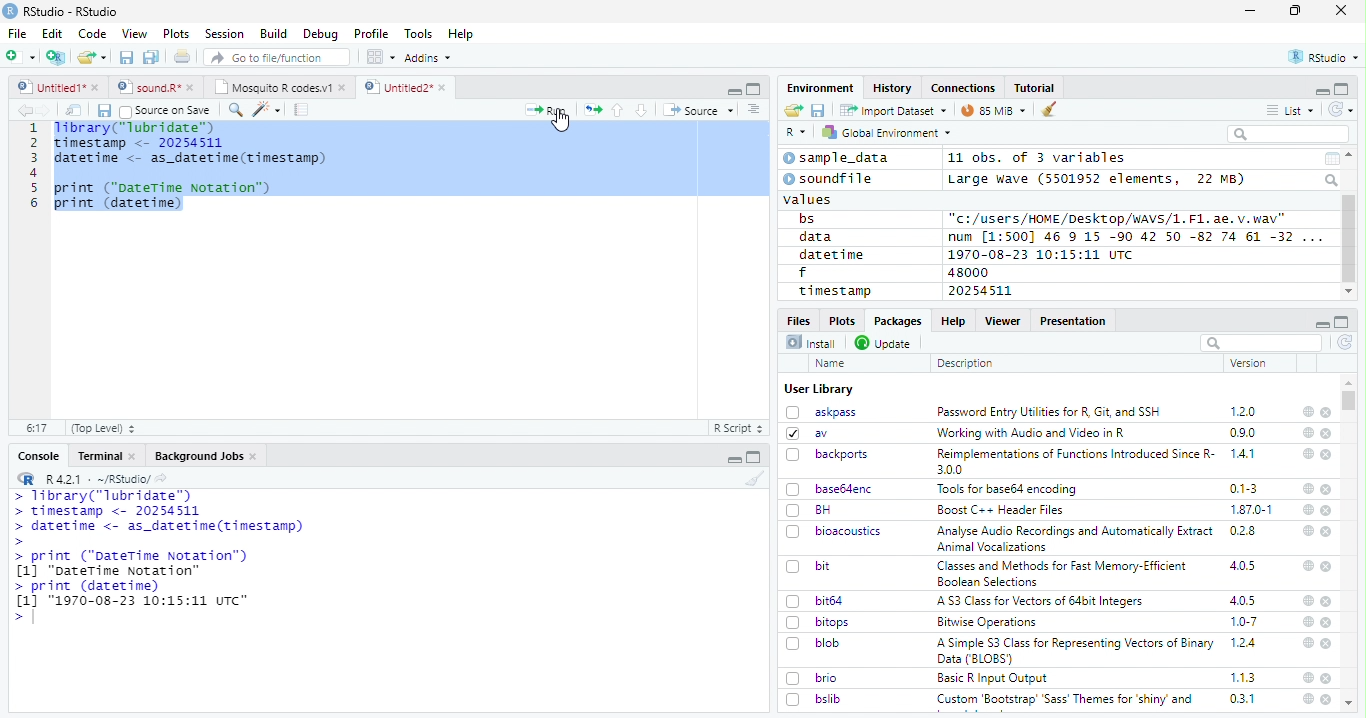 The width and height of the screenshot is (1366, 718). Describe the element at coordinates (1259, 342) in the screenshot. I see `search bar` at that location.